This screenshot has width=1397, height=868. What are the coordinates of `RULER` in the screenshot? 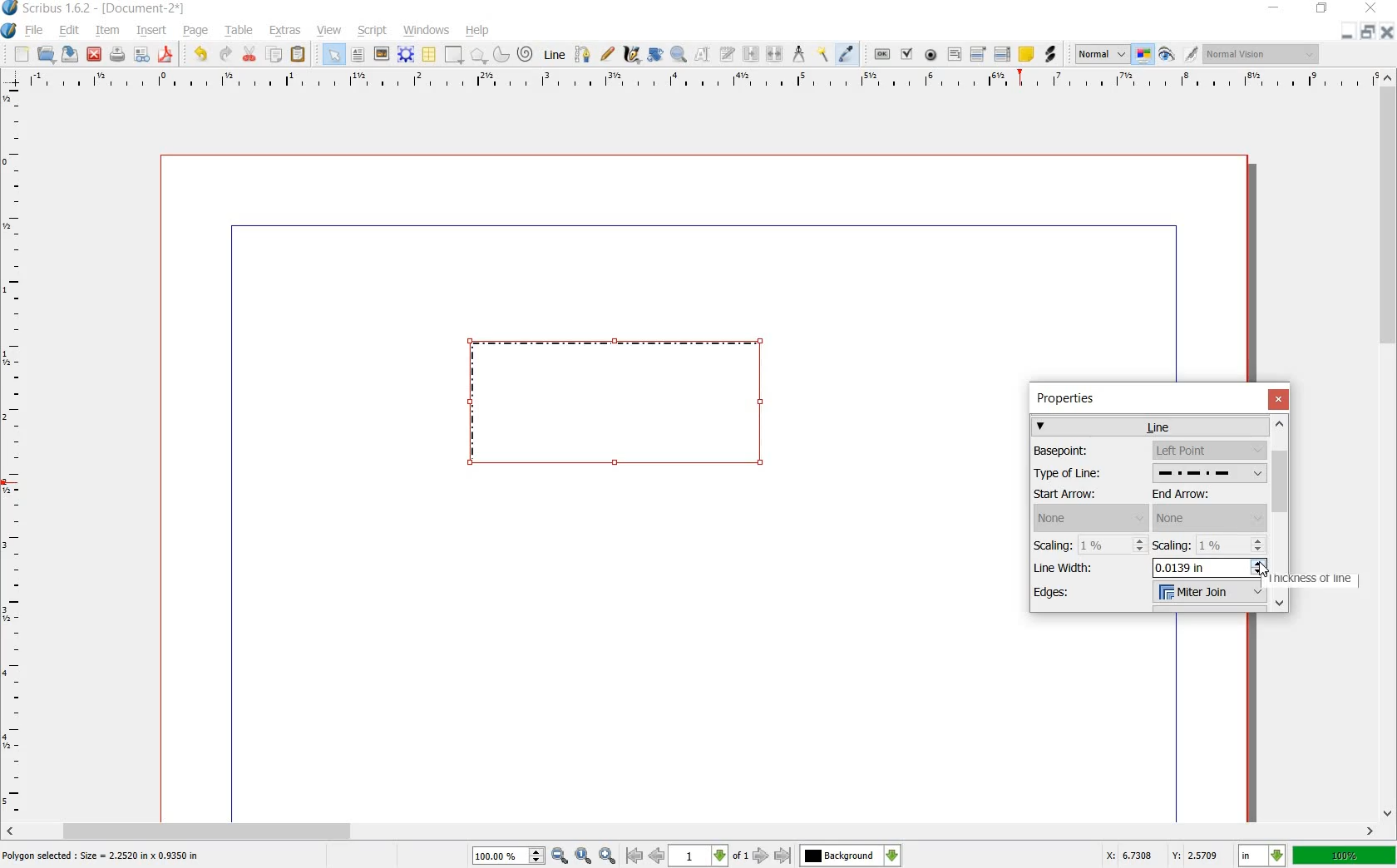 It's located at (14, 452).